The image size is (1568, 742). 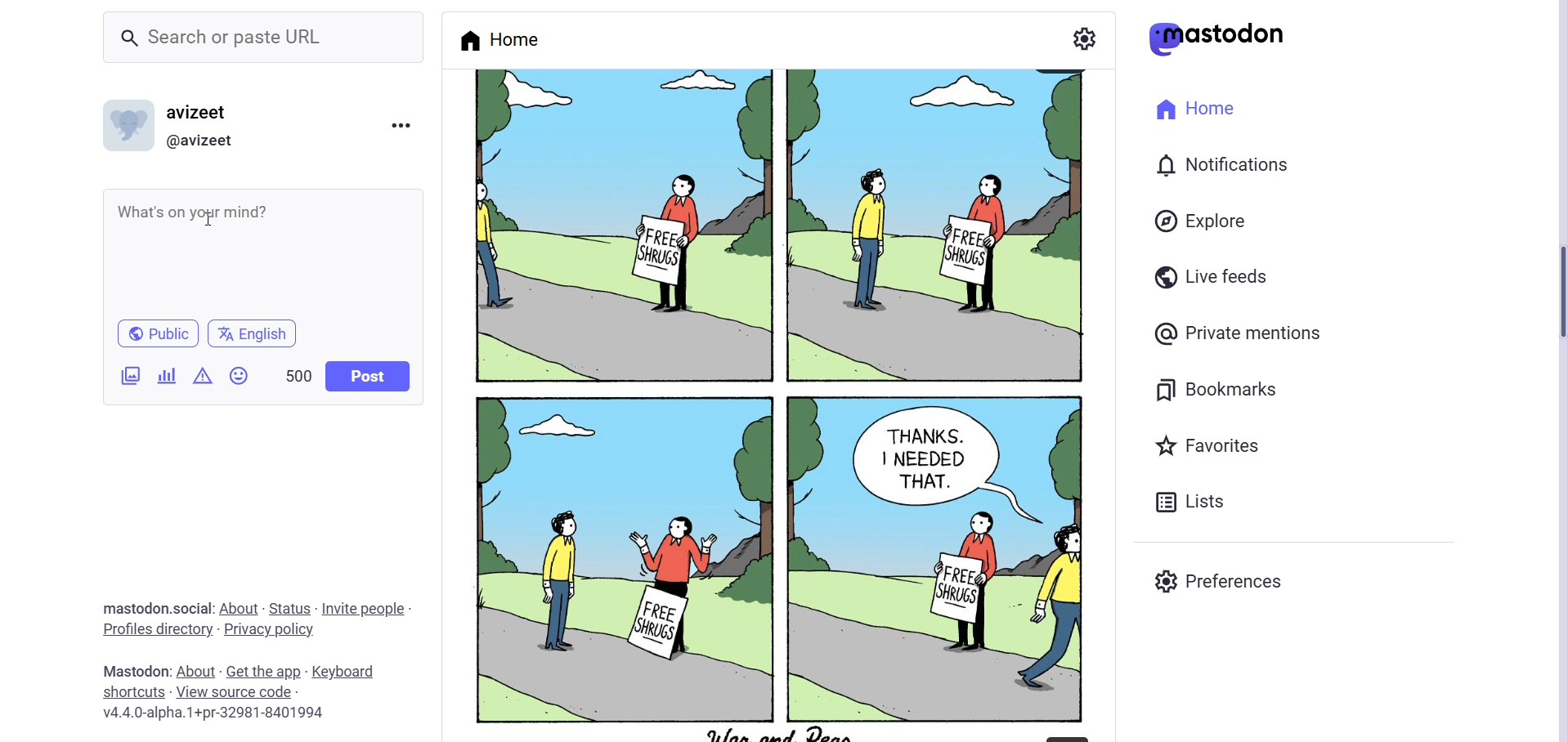 What do you see at coordinates (241, 378) in the screenshot?
I see `Emojis` at bounding box center [241, 378].